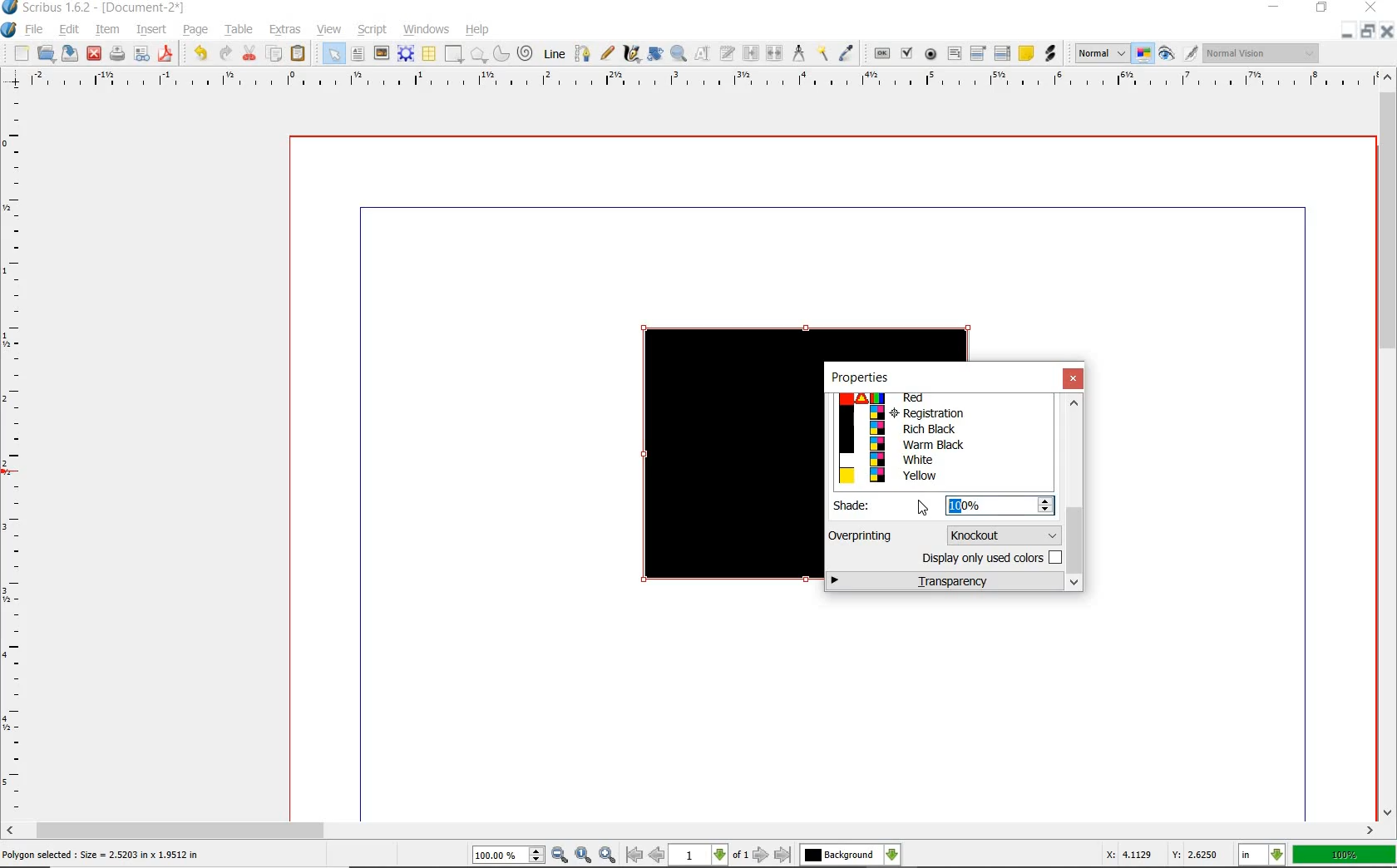 This screenshot has width=1397, height=868. Describe the element at coordinates (69, 55) in the screenshot. I see `save` at that location.